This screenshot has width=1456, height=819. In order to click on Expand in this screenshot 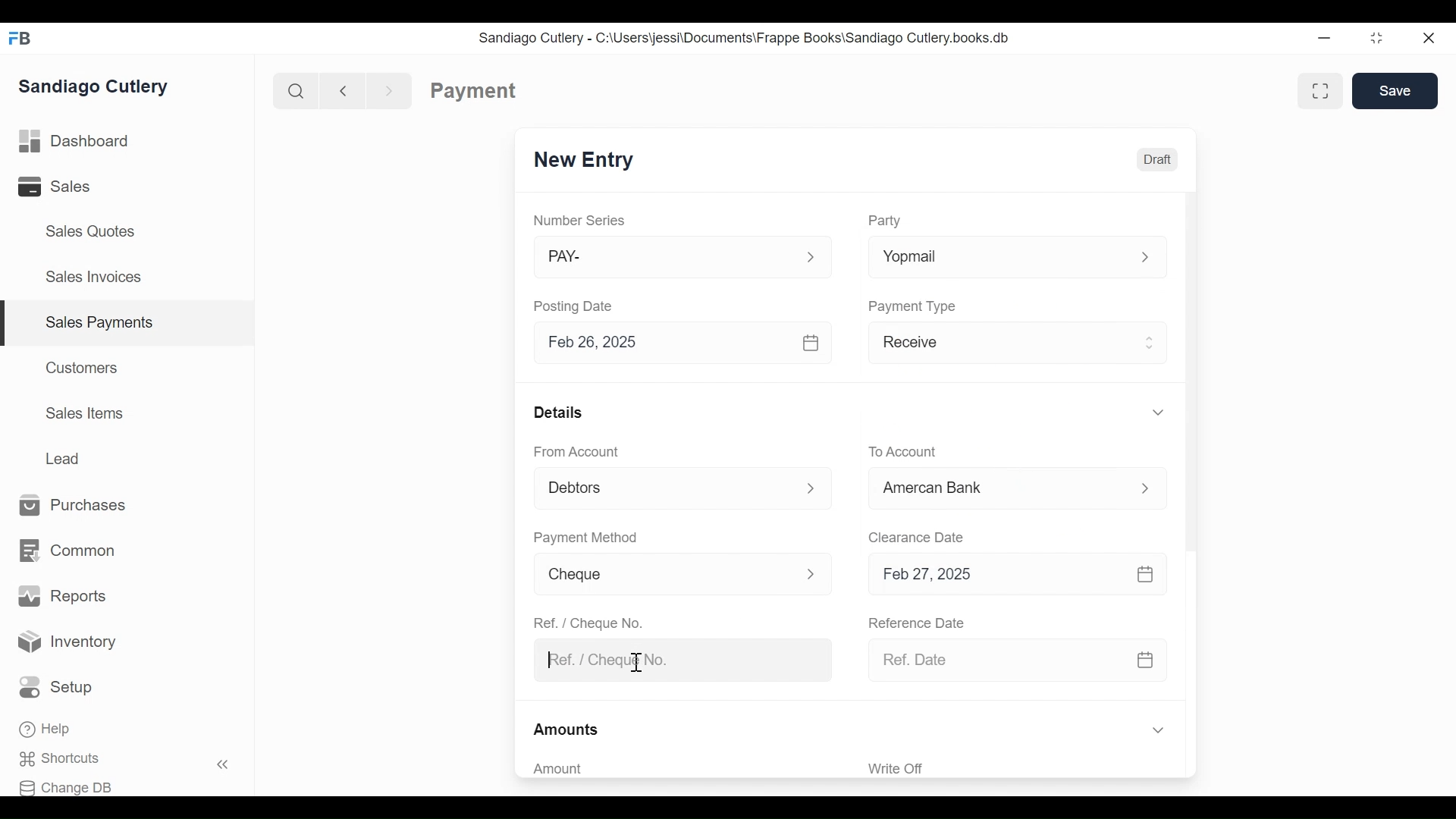, I will do `click(1151, 340)`.